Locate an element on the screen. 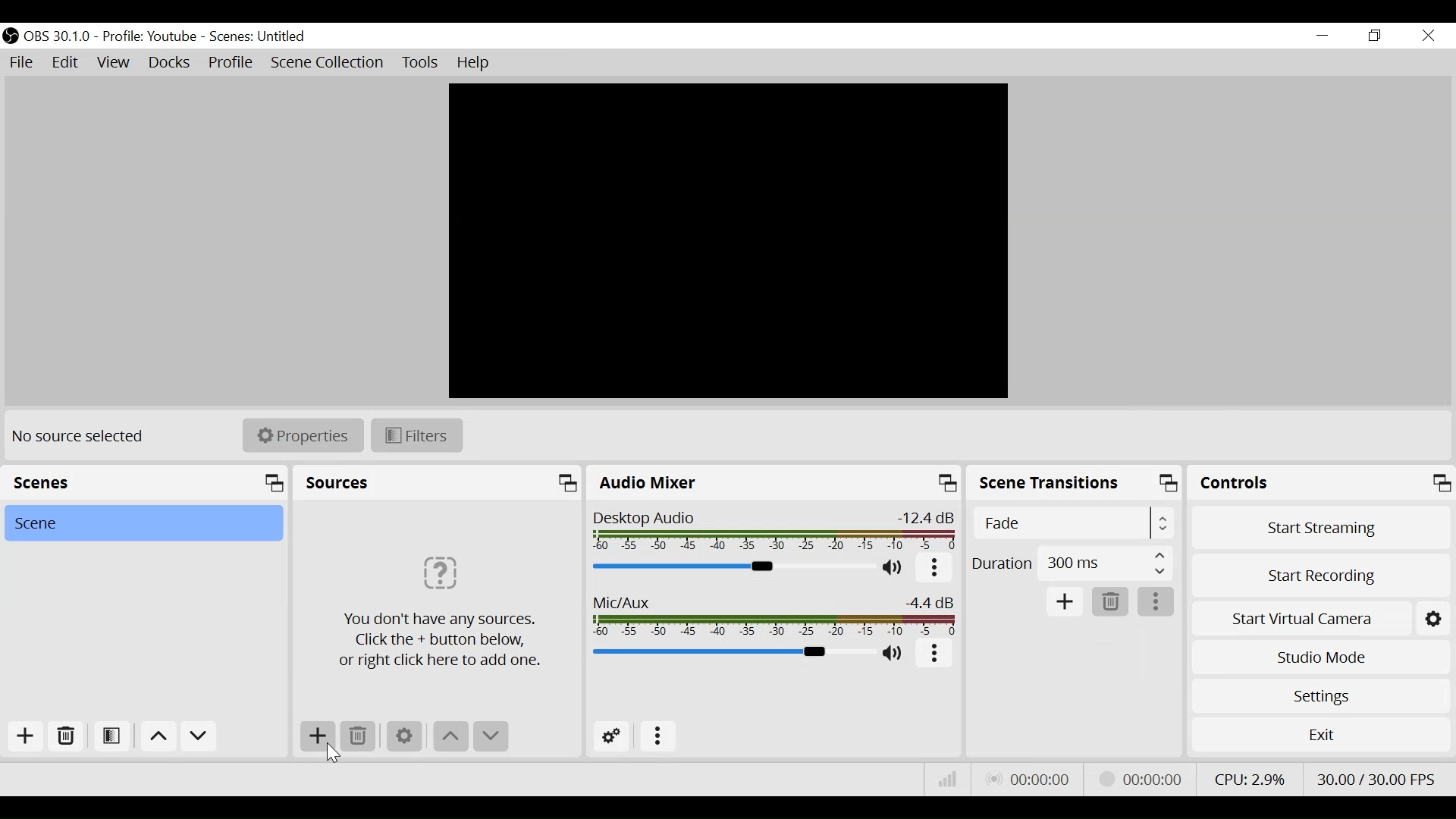  more options is located at coordinates (936, 569).